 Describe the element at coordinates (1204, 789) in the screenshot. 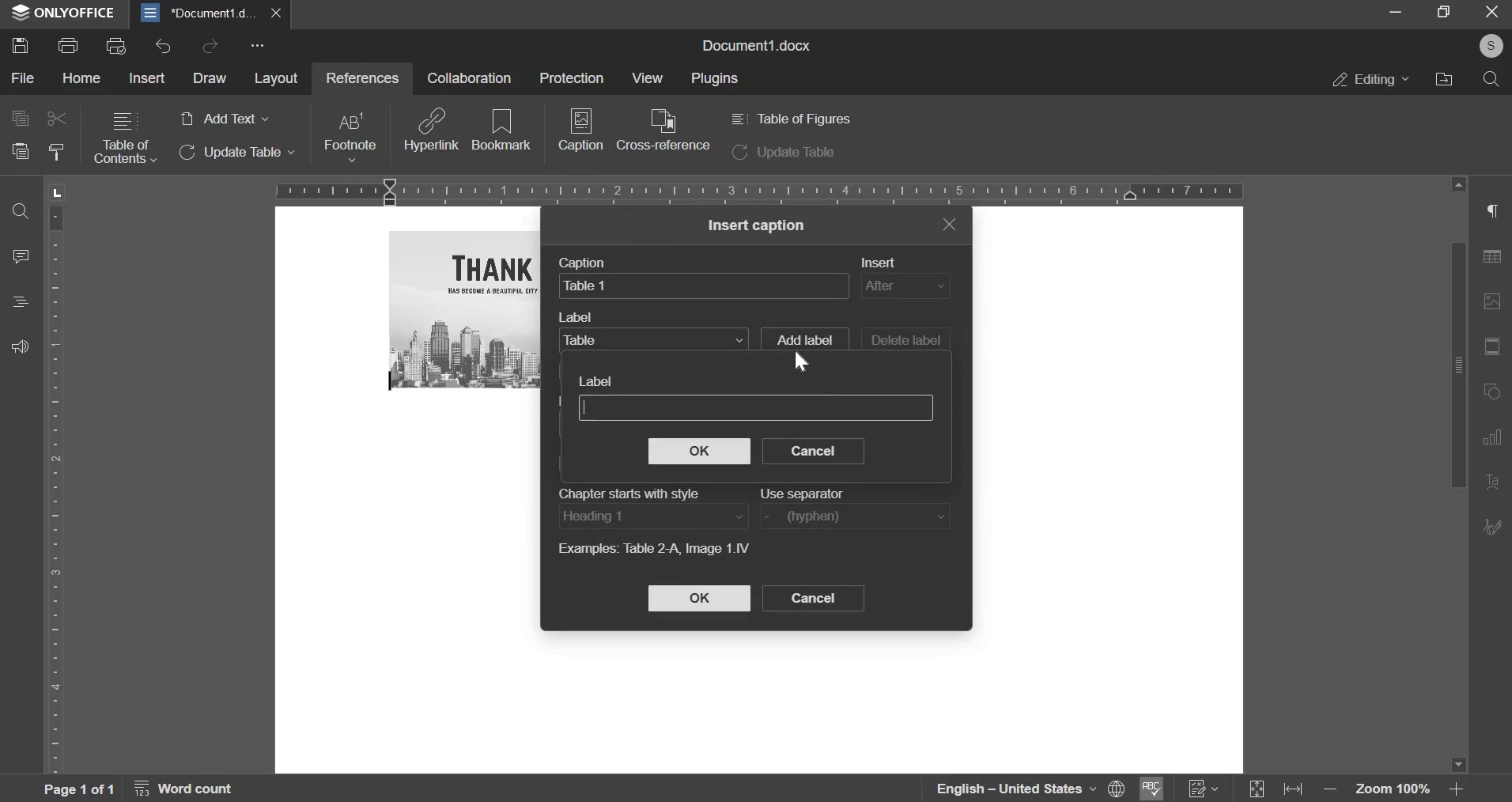

I see `Track Changes` at that location.